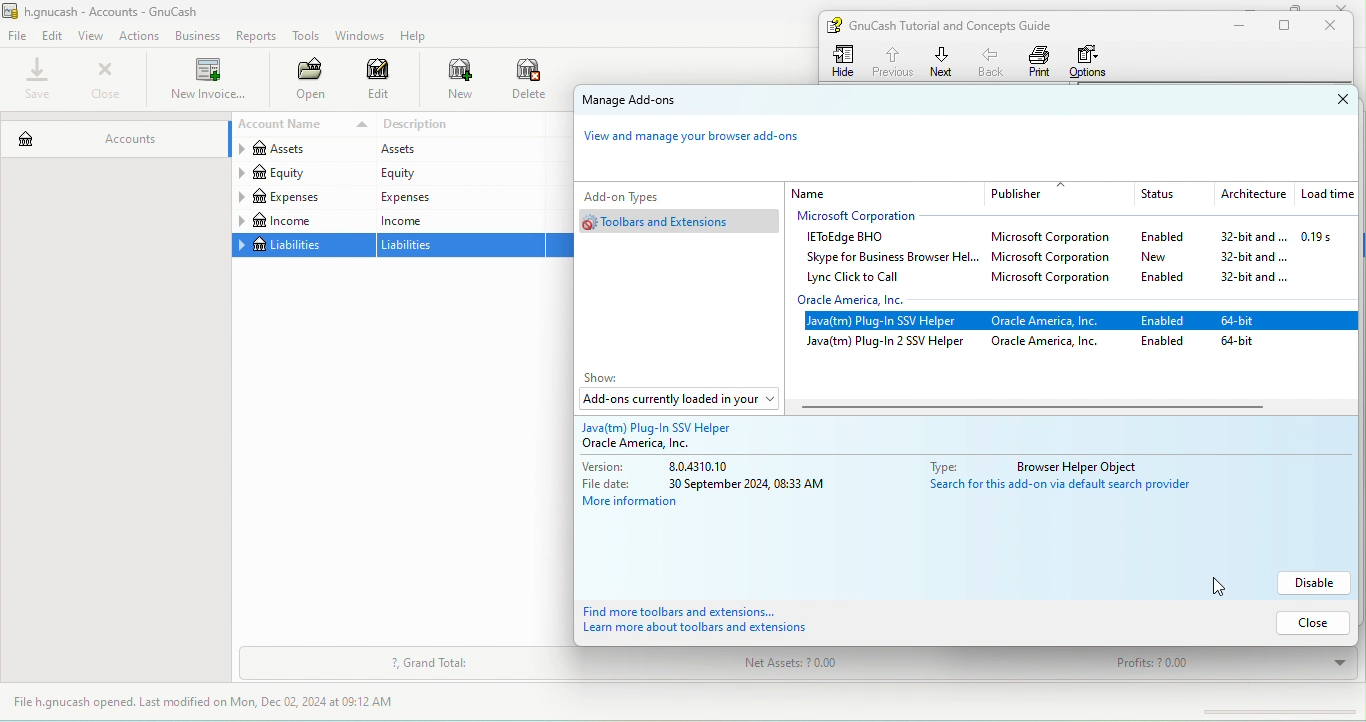 The width and height of the screenshot is (1366, 722). I want to click on enabled, so click(1162, 319).